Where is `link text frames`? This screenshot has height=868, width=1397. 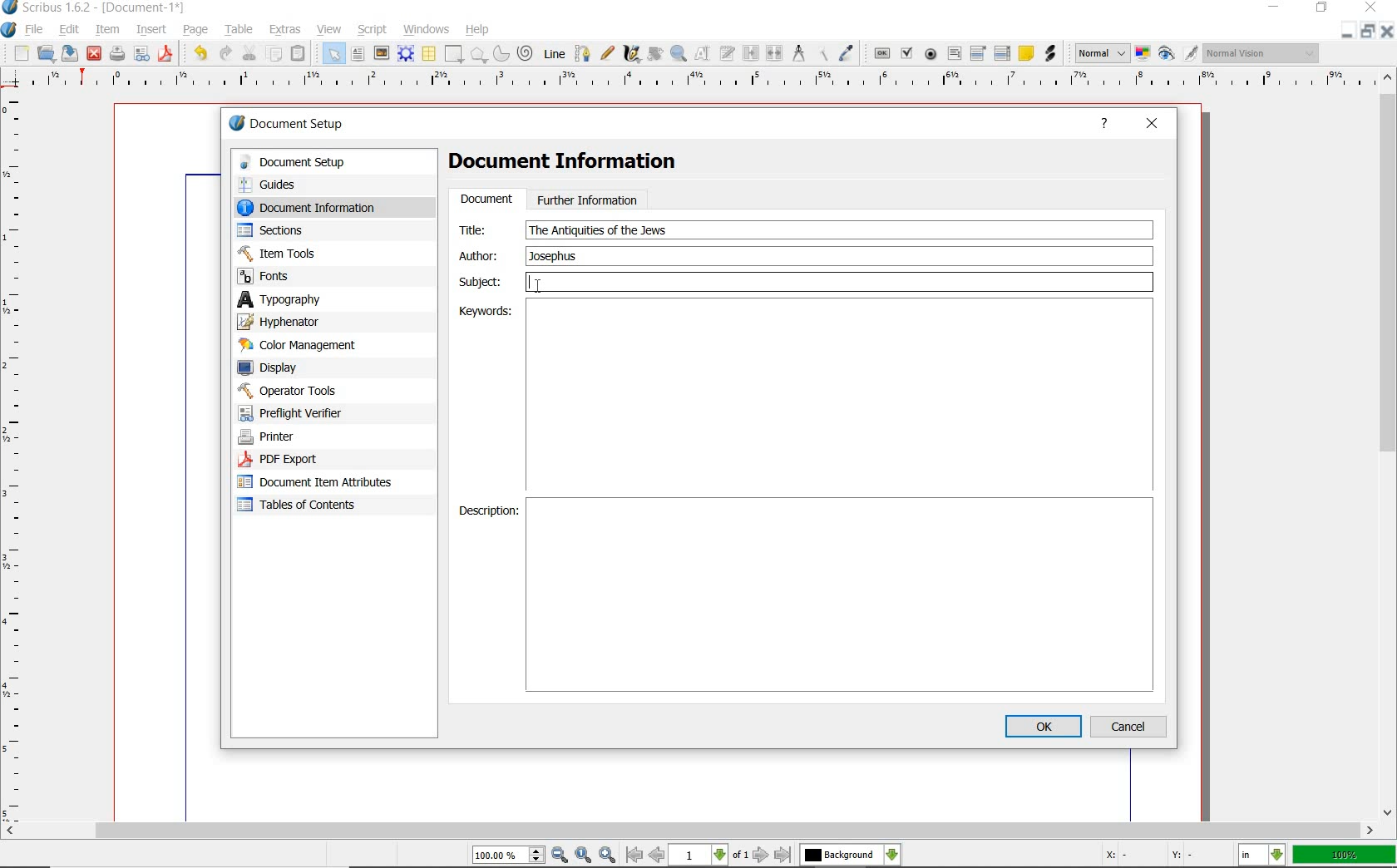 link text frames is located at coordinates (751, 54).